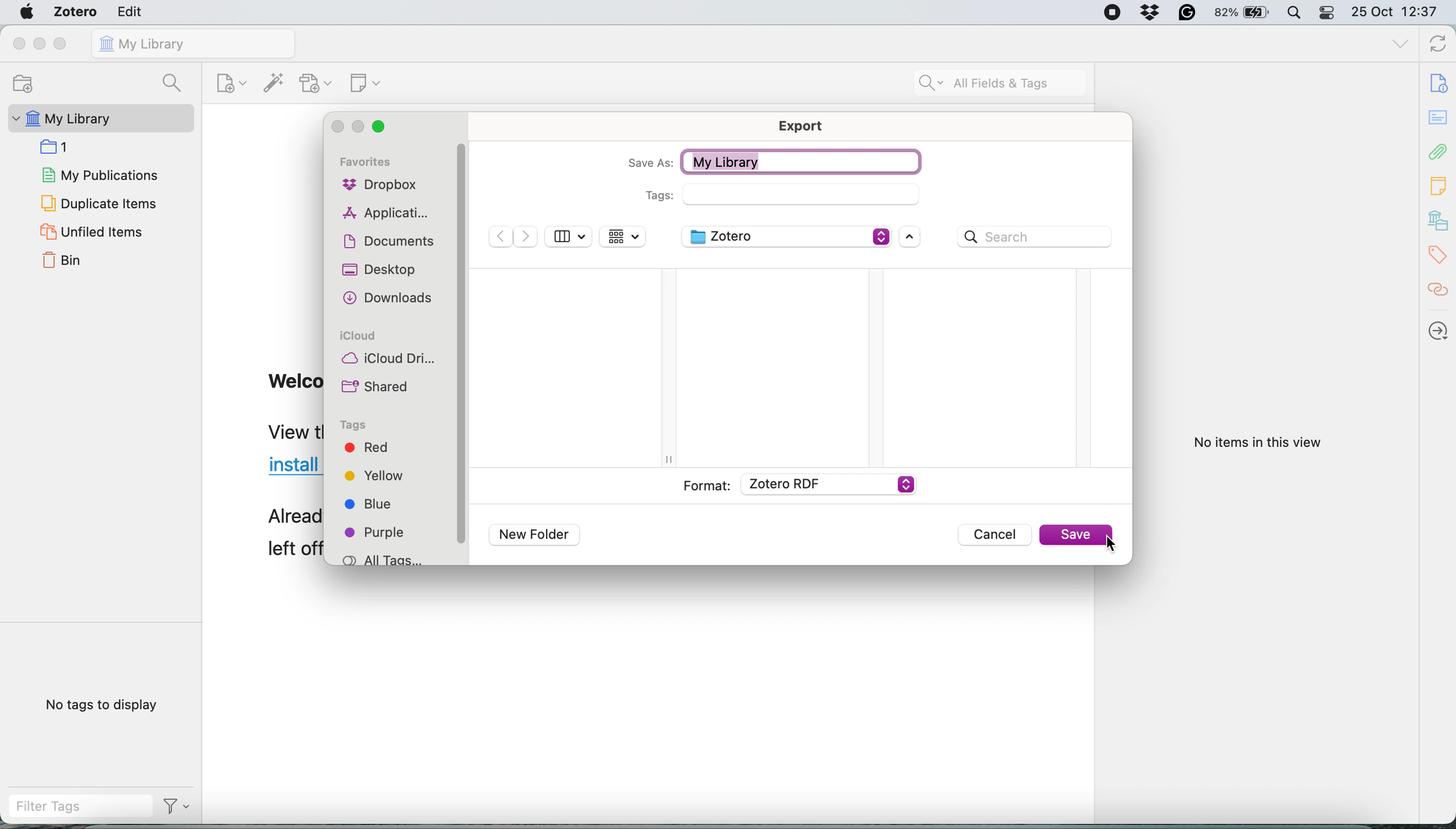 This screenshot has width=1456, height=829. Describe the element at coordinates (779, 194) in the screenshot. I see `Tags:` at that location.